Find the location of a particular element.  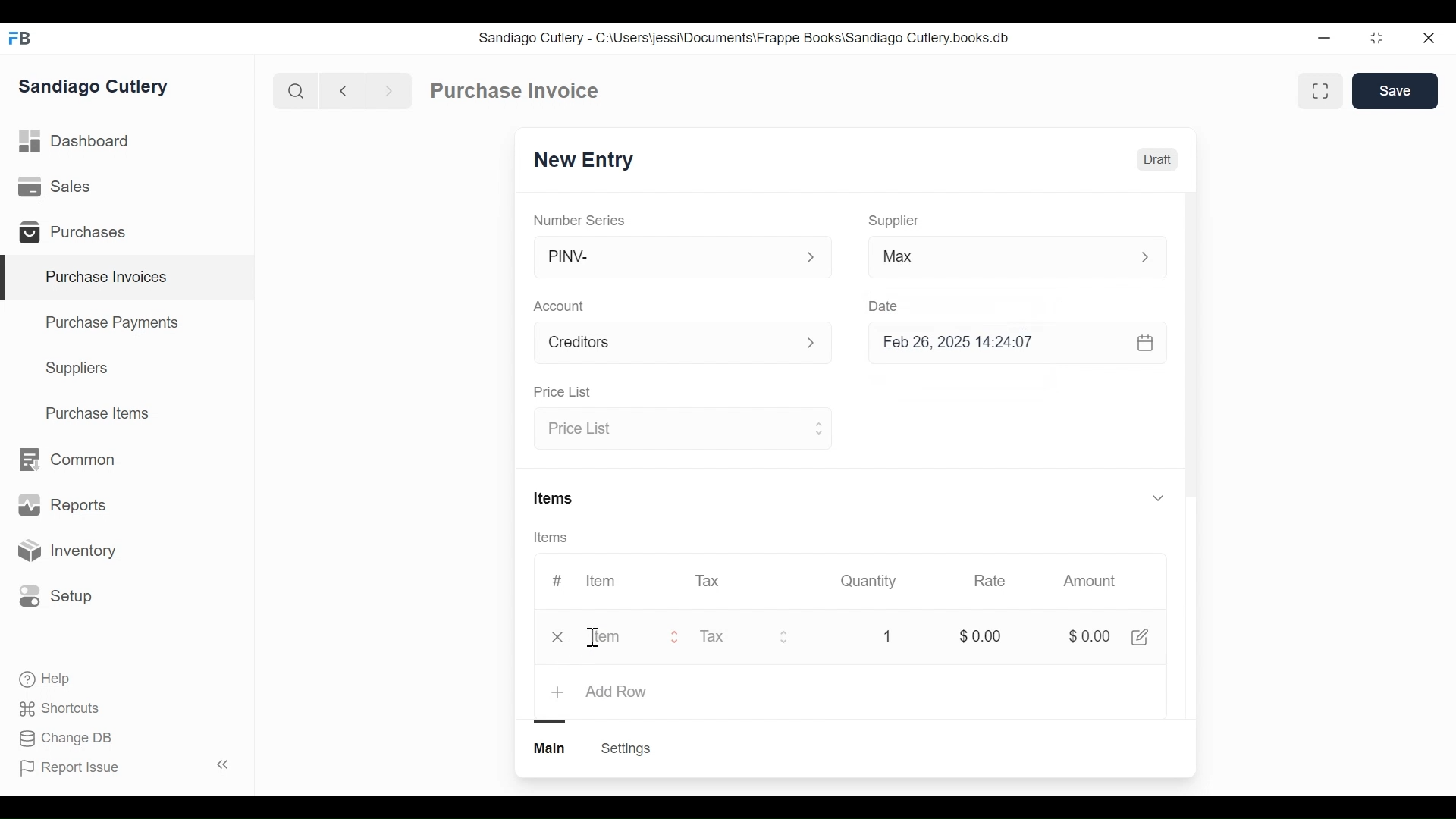

Rate is located at coordinates (988, 581).